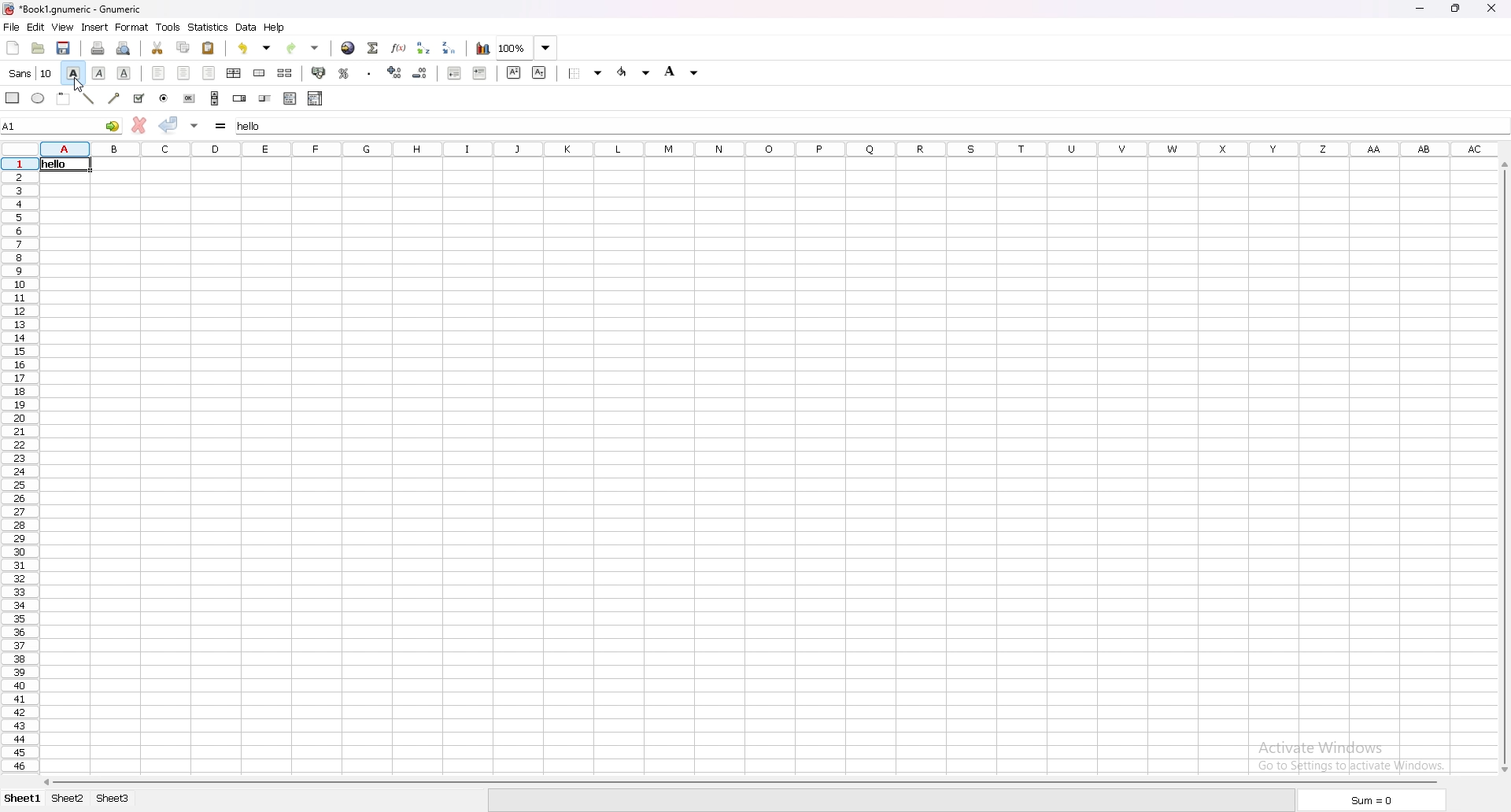  What do you see at coordinates (1456, 8) in the screenshot?
I see `restore` at bounding box center [1456, 8].